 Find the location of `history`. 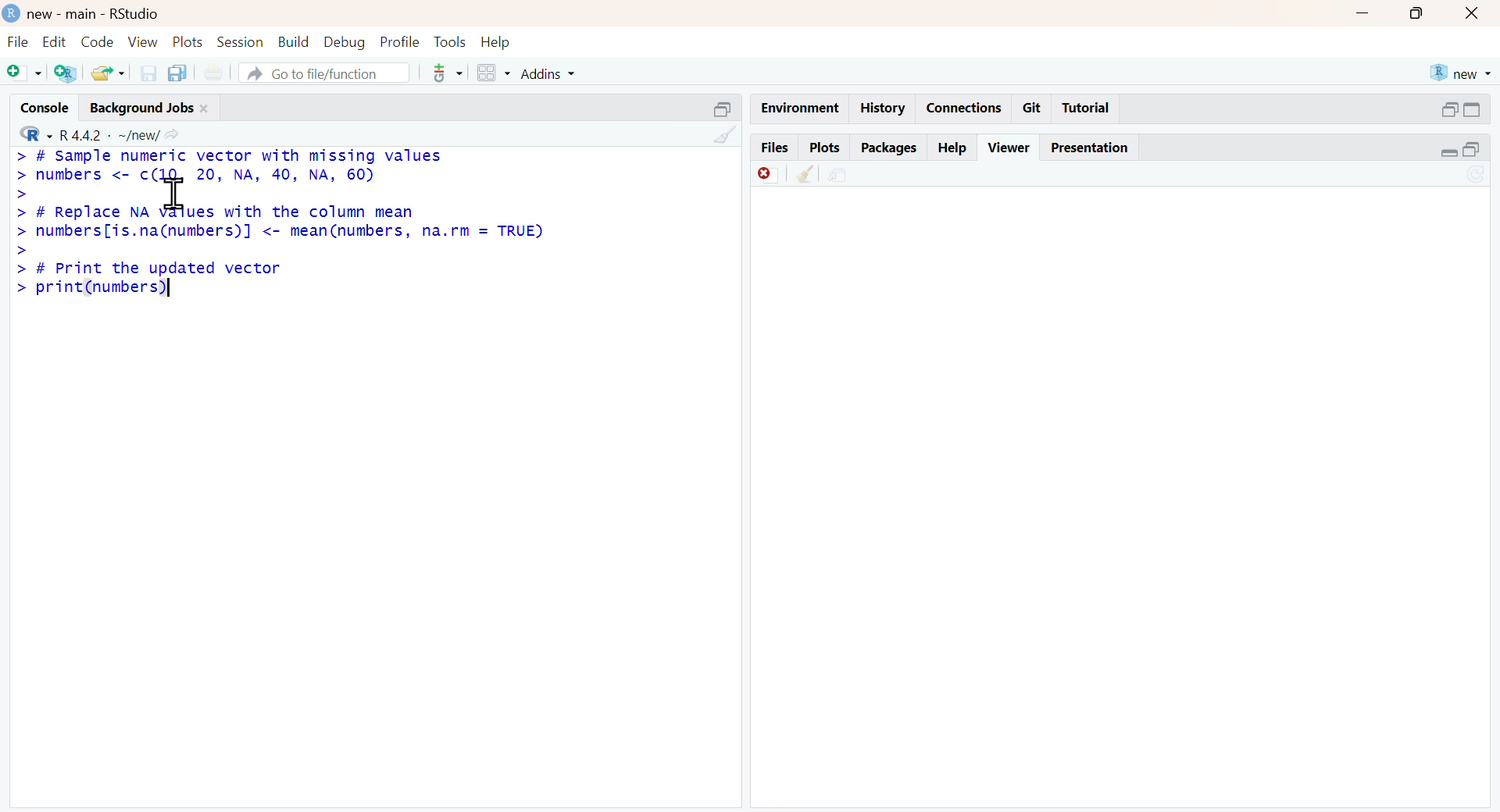

history is located at coordinates (884, 109).